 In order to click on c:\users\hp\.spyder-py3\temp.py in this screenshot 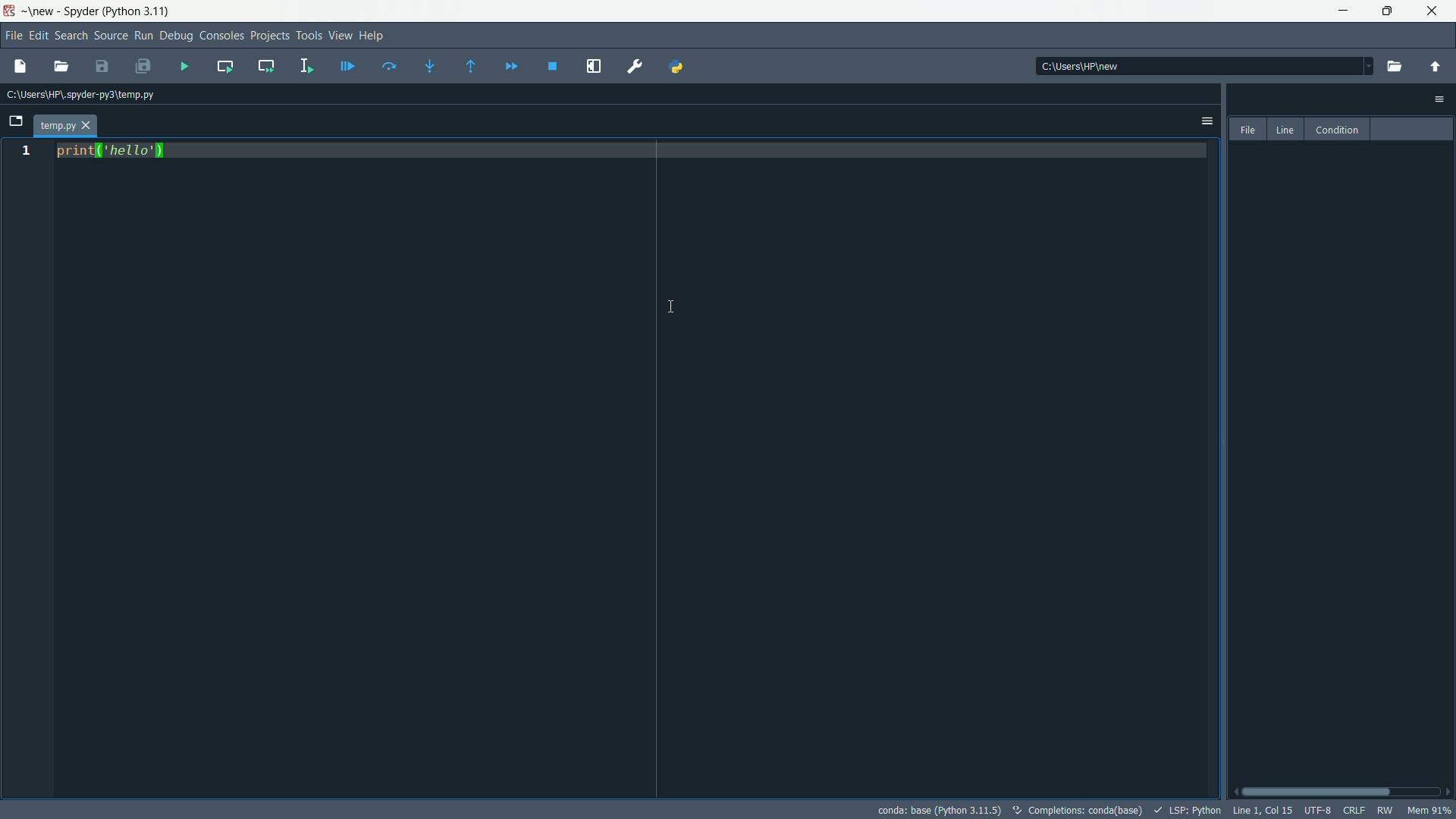, I will do `click(83, 96)`.